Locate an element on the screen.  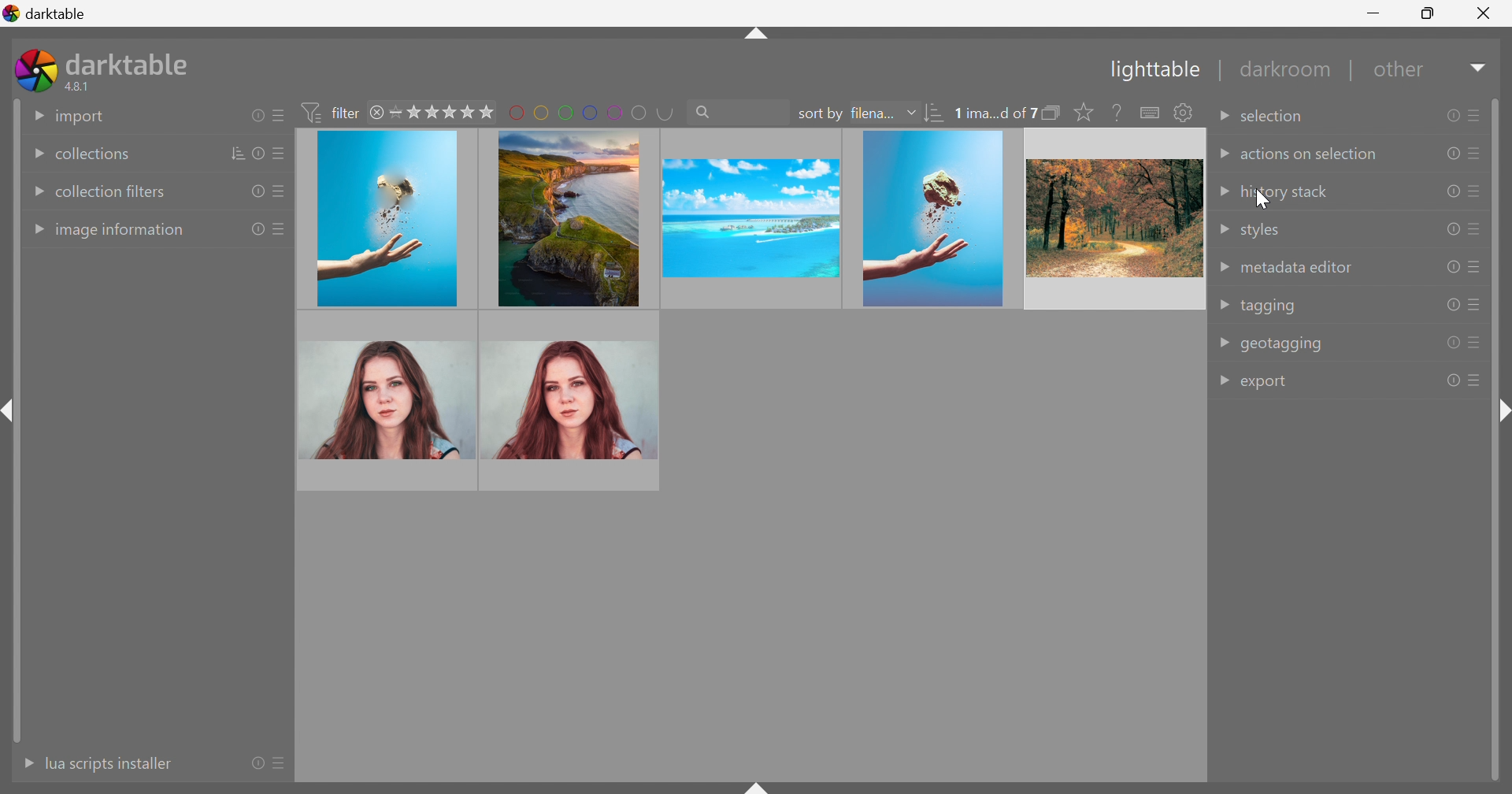
Drop Down is located at coordinates (1225, 268).